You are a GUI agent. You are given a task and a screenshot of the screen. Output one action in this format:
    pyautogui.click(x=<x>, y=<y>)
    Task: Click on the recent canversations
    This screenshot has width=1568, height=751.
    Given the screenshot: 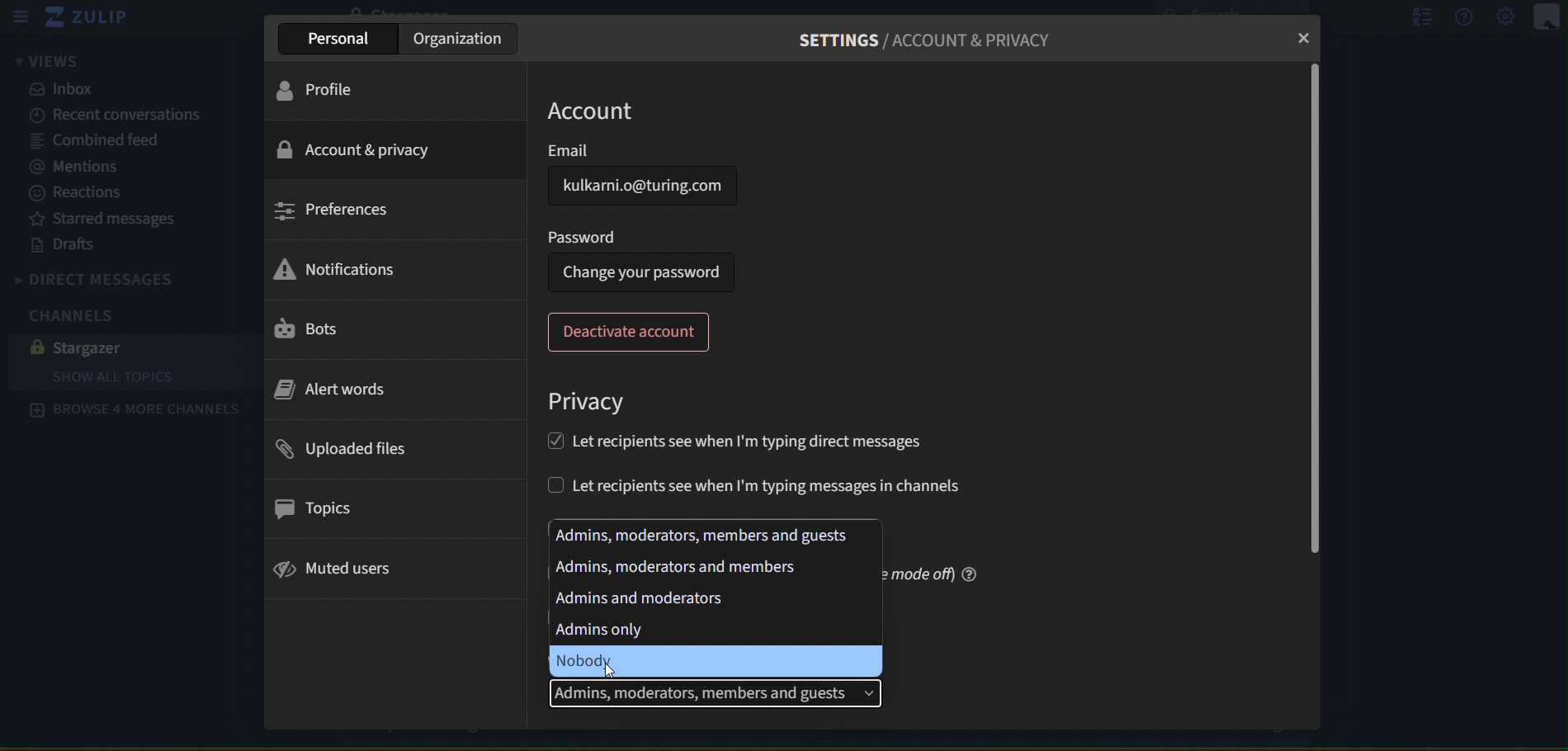 What is the action you would take?
    pyautogui.click(x=106, y=116)
    